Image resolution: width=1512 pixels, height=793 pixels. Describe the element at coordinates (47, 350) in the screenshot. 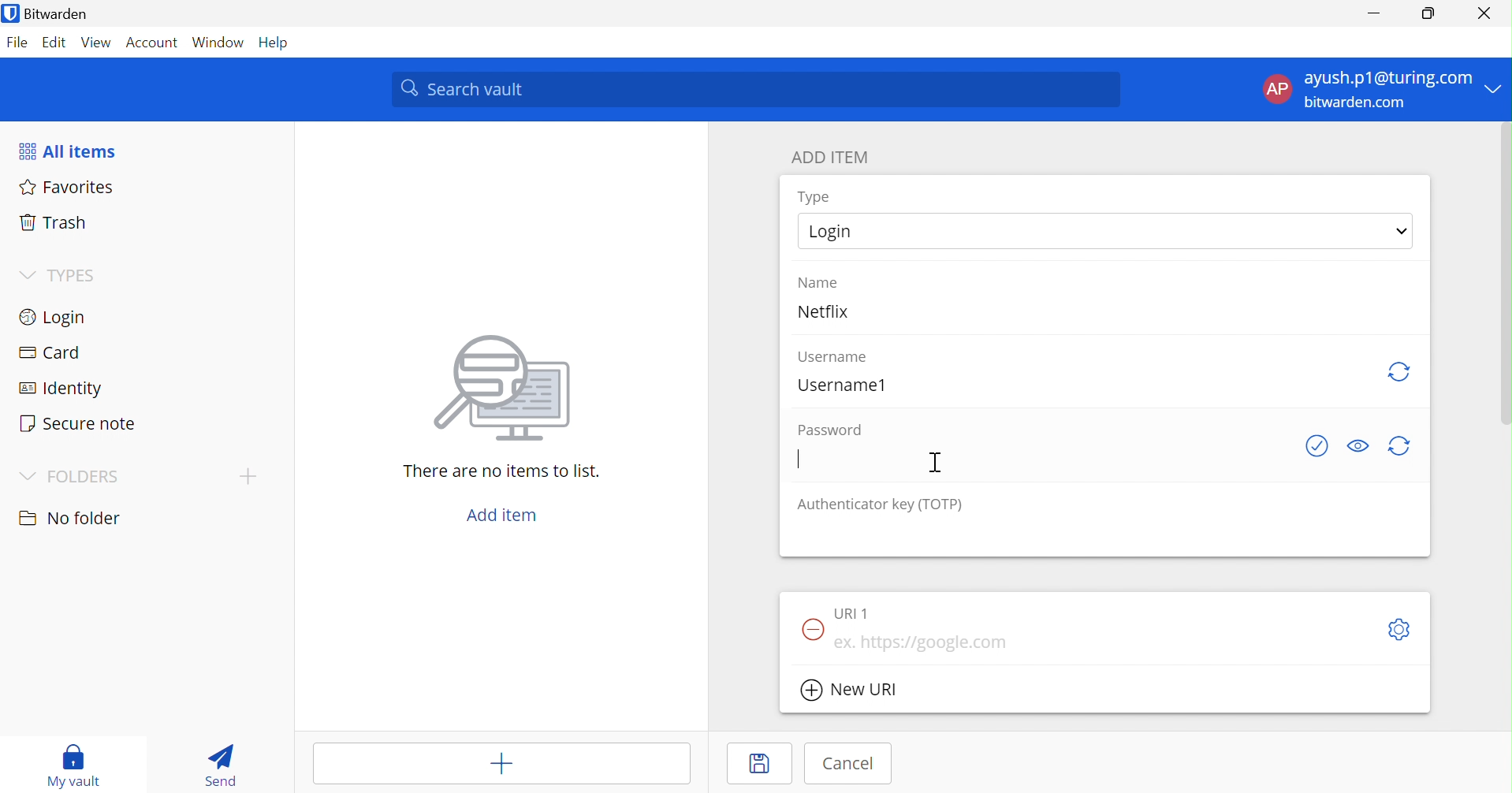

I see `Card` at that location.